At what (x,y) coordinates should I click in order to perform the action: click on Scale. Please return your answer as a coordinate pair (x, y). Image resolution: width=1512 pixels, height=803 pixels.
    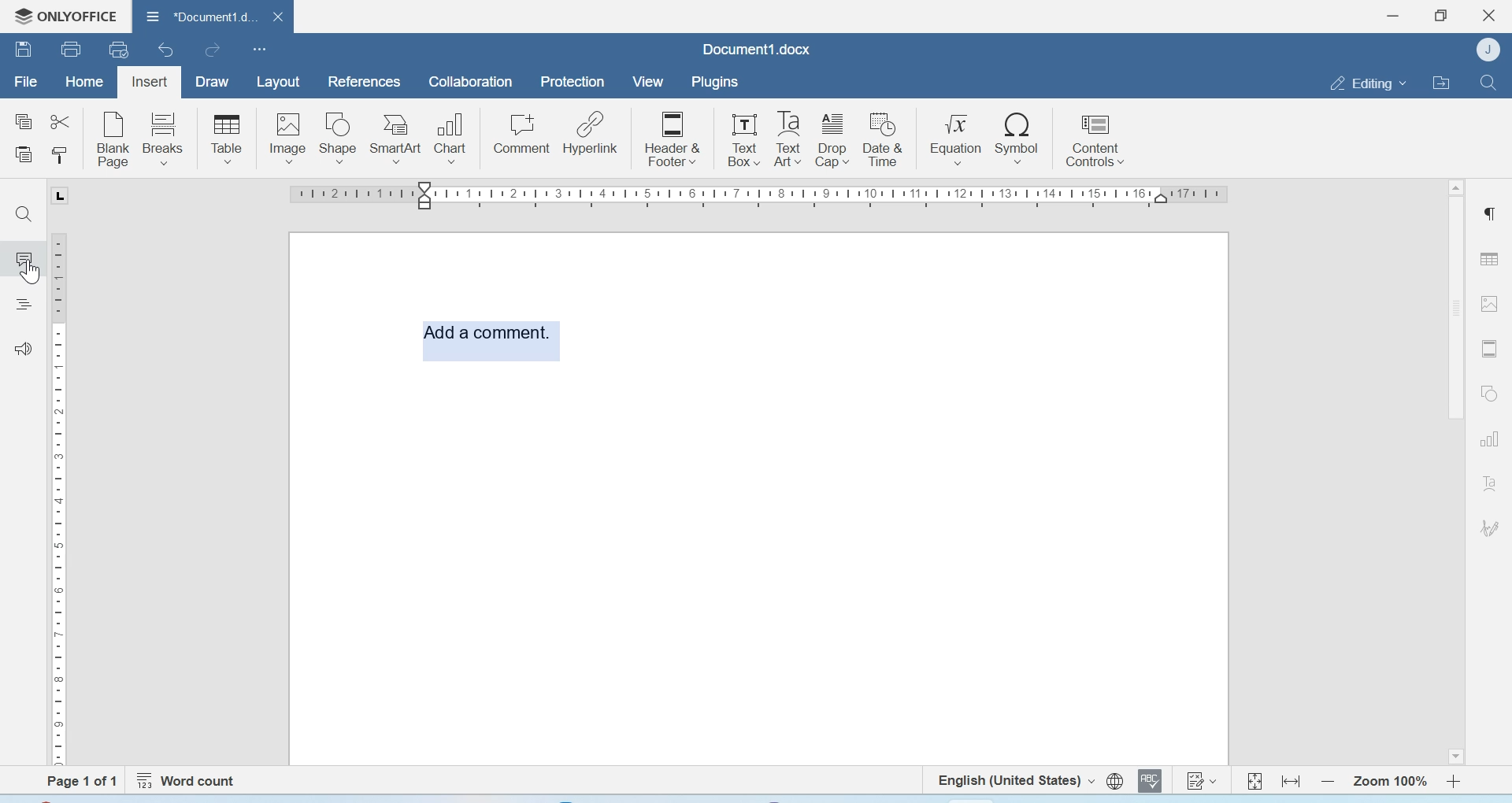
    Looking at the image, I should click on (61, 496).